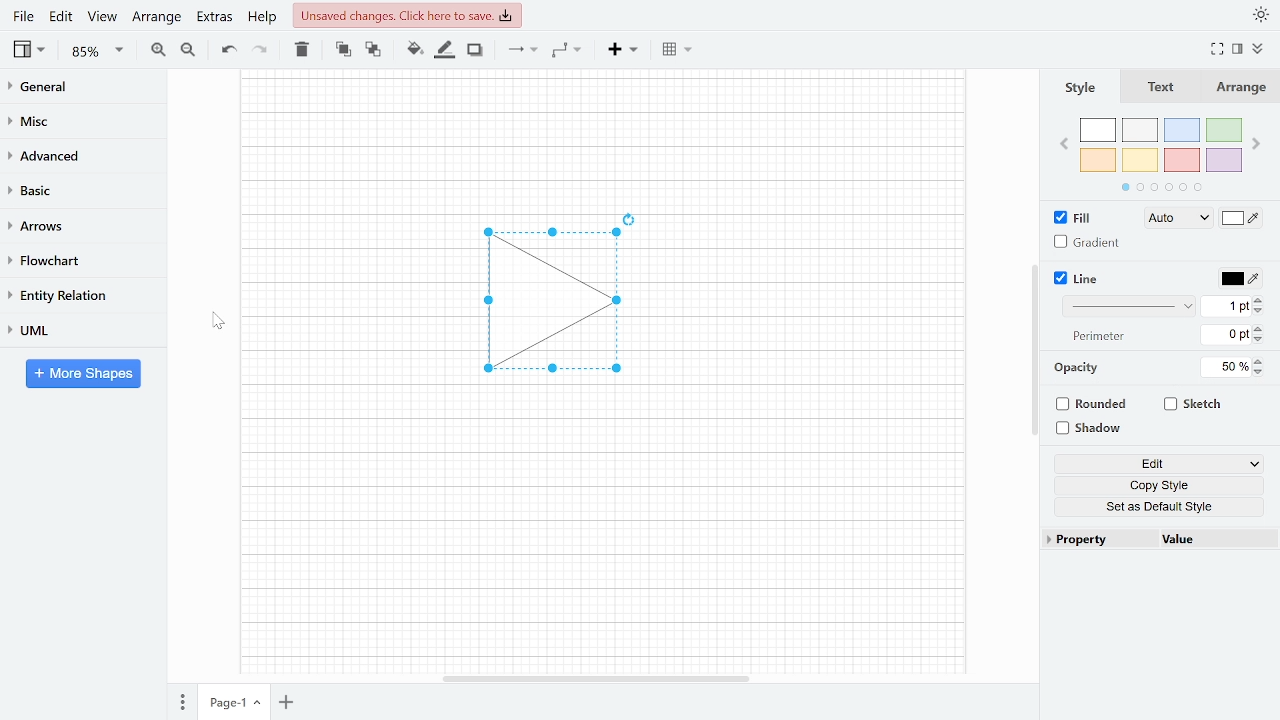 The width and height of the screenshot is (1280, 720). What do you see at coordinates (1157, 88) in the screenshot?
I see `Text` at bounding box center [1157, 88].